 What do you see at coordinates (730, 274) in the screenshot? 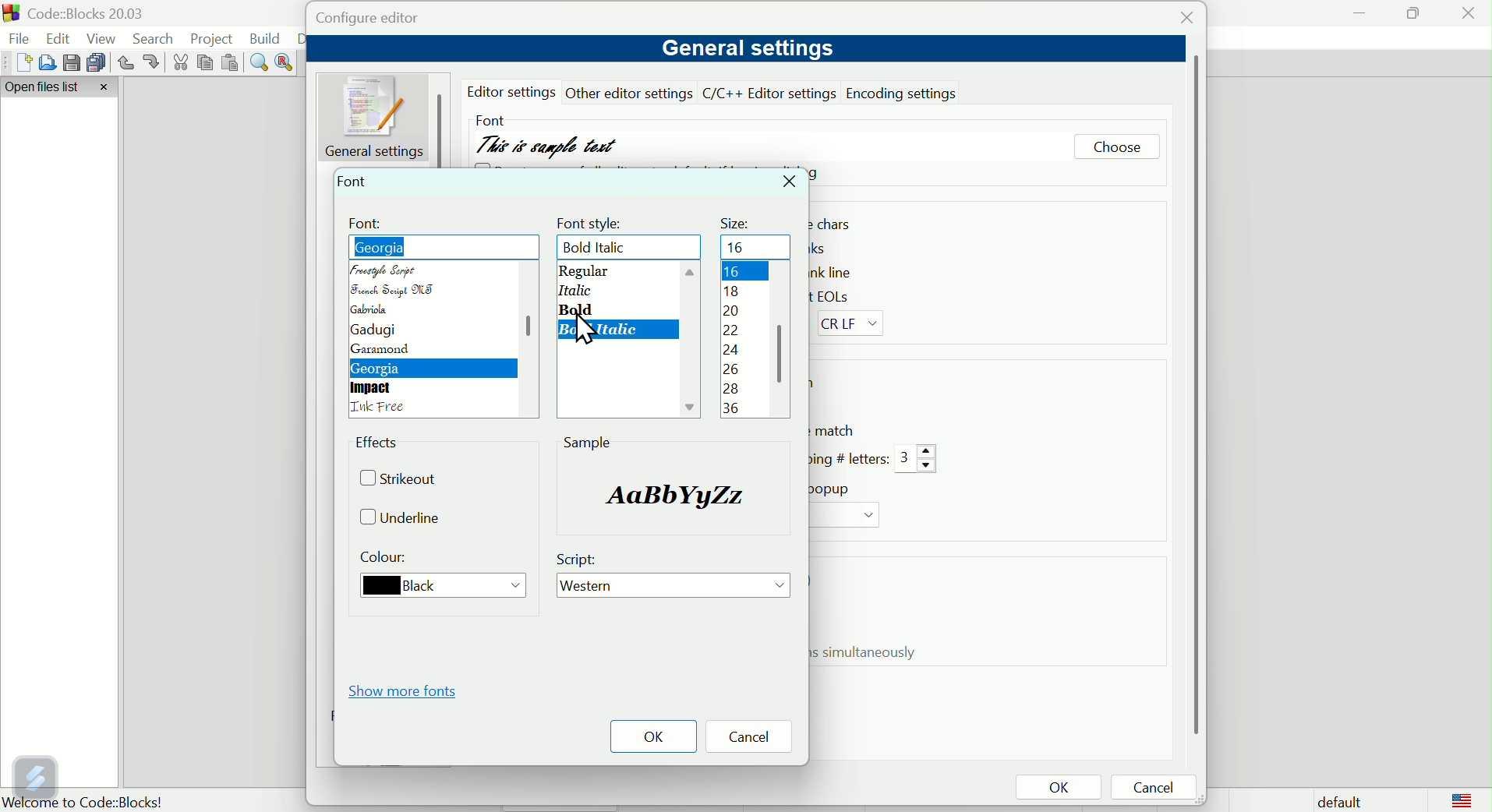
I see `16` at bounding box center [730, 274].